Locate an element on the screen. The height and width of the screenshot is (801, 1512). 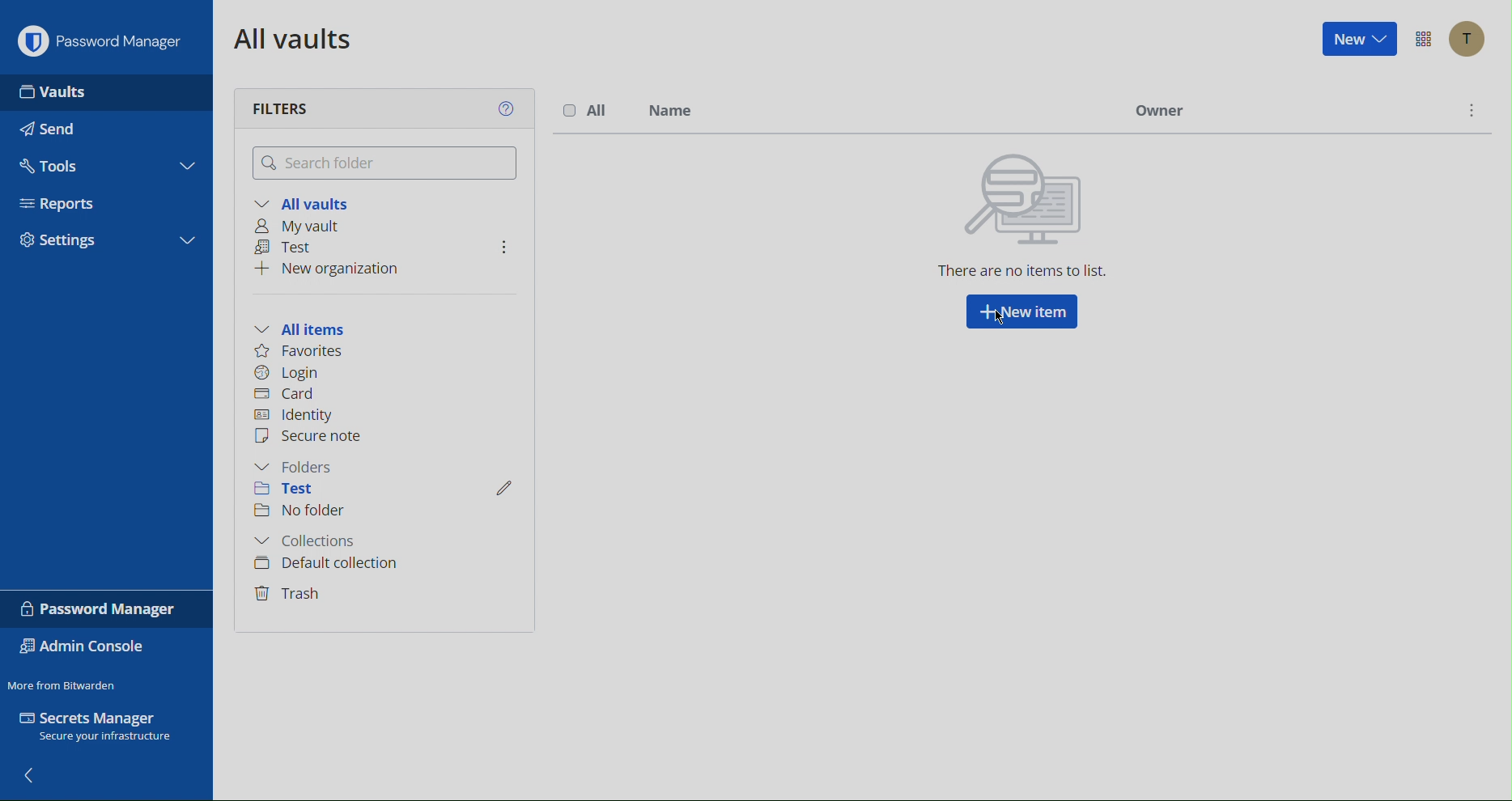
New organization is located at coordinates (337, 269).